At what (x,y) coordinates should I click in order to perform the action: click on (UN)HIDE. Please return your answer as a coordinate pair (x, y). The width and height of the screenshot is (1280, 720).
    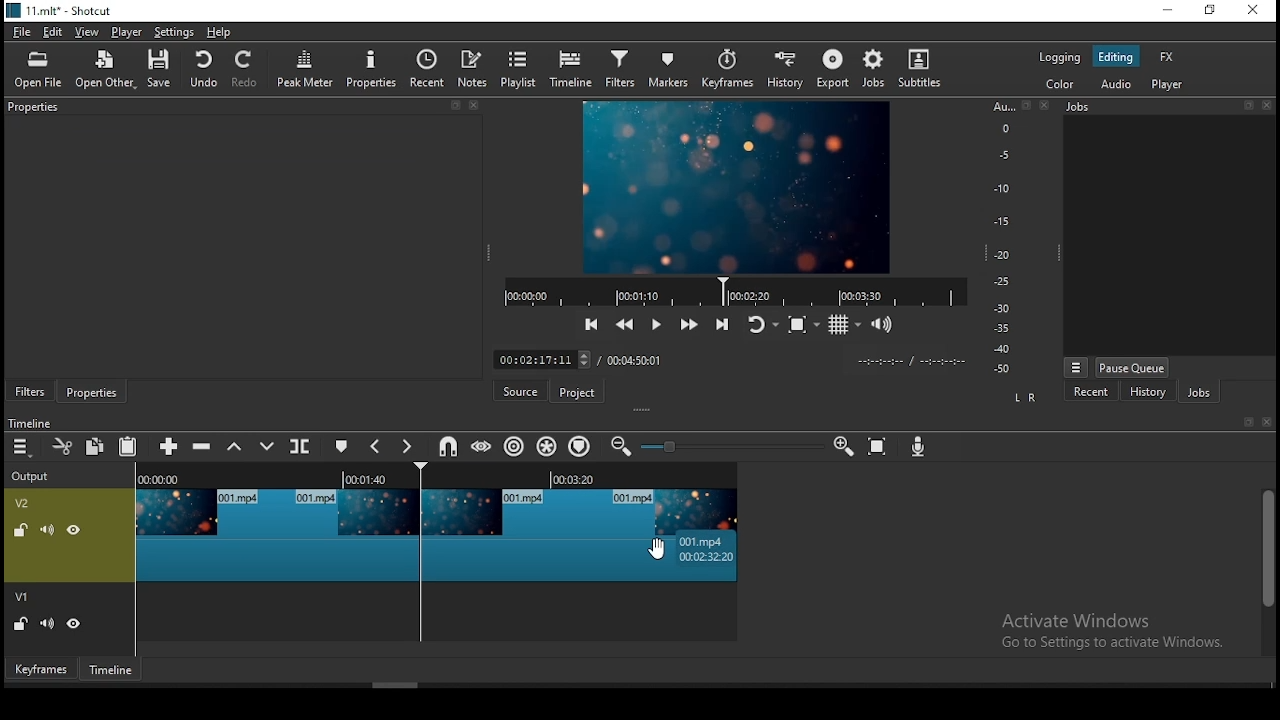
    Looking at the image, I should click on (75, 626).